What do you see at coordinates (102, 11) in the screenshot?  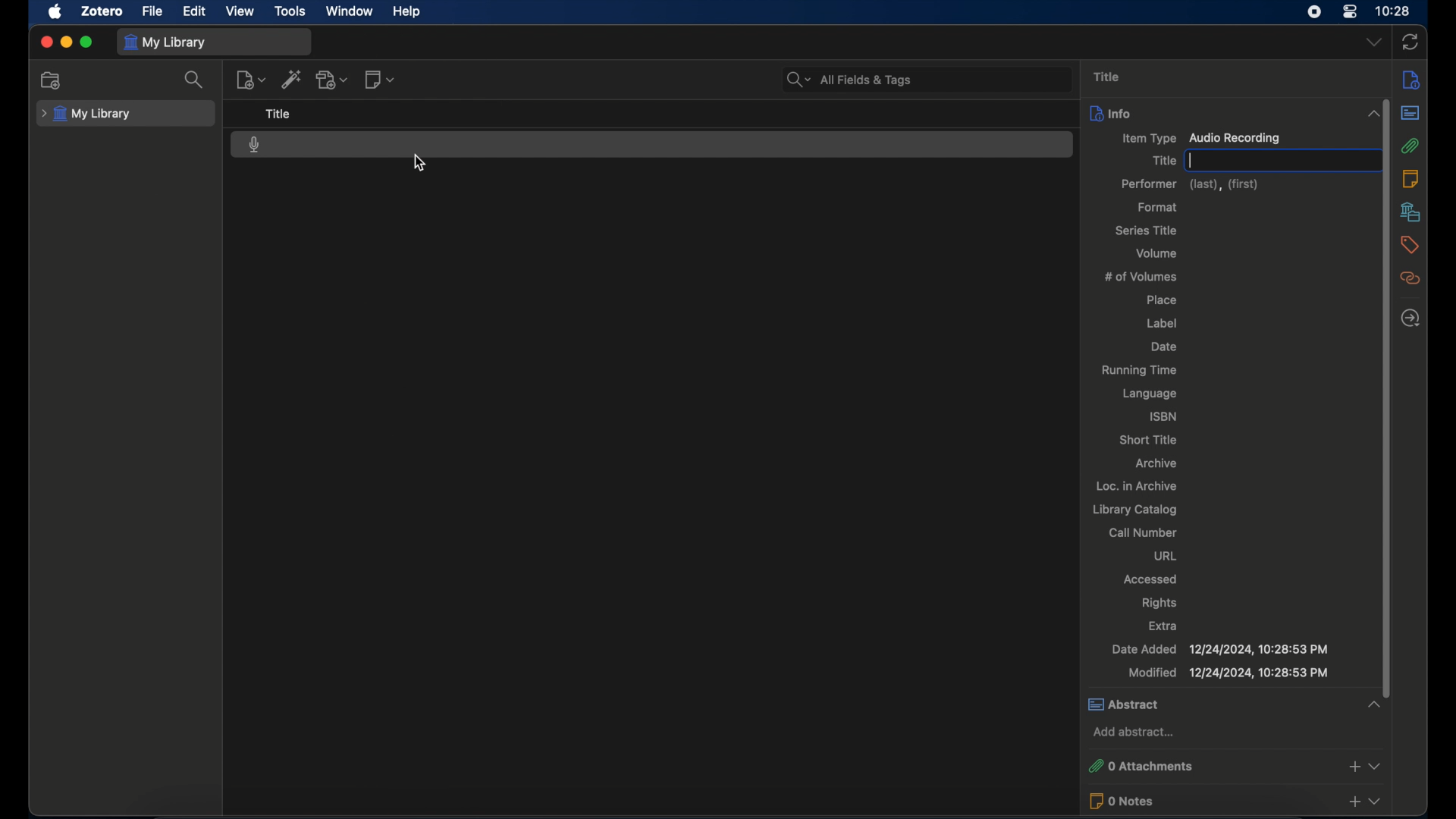 I see `zotero` at bounding box center [102, 11].